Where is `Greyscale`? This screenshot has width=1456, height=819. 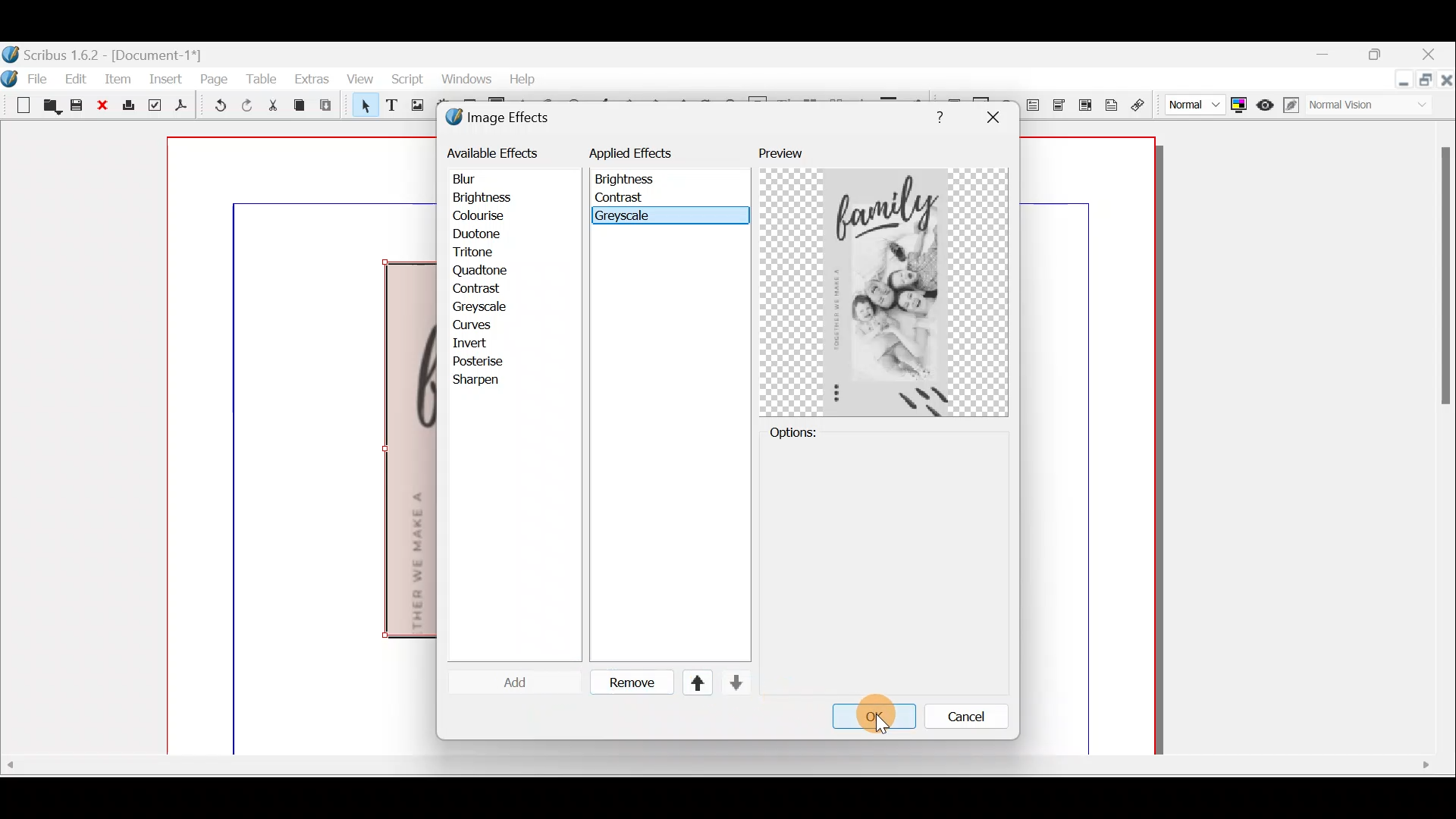 Greyscale is located at coordinates (629, 216).